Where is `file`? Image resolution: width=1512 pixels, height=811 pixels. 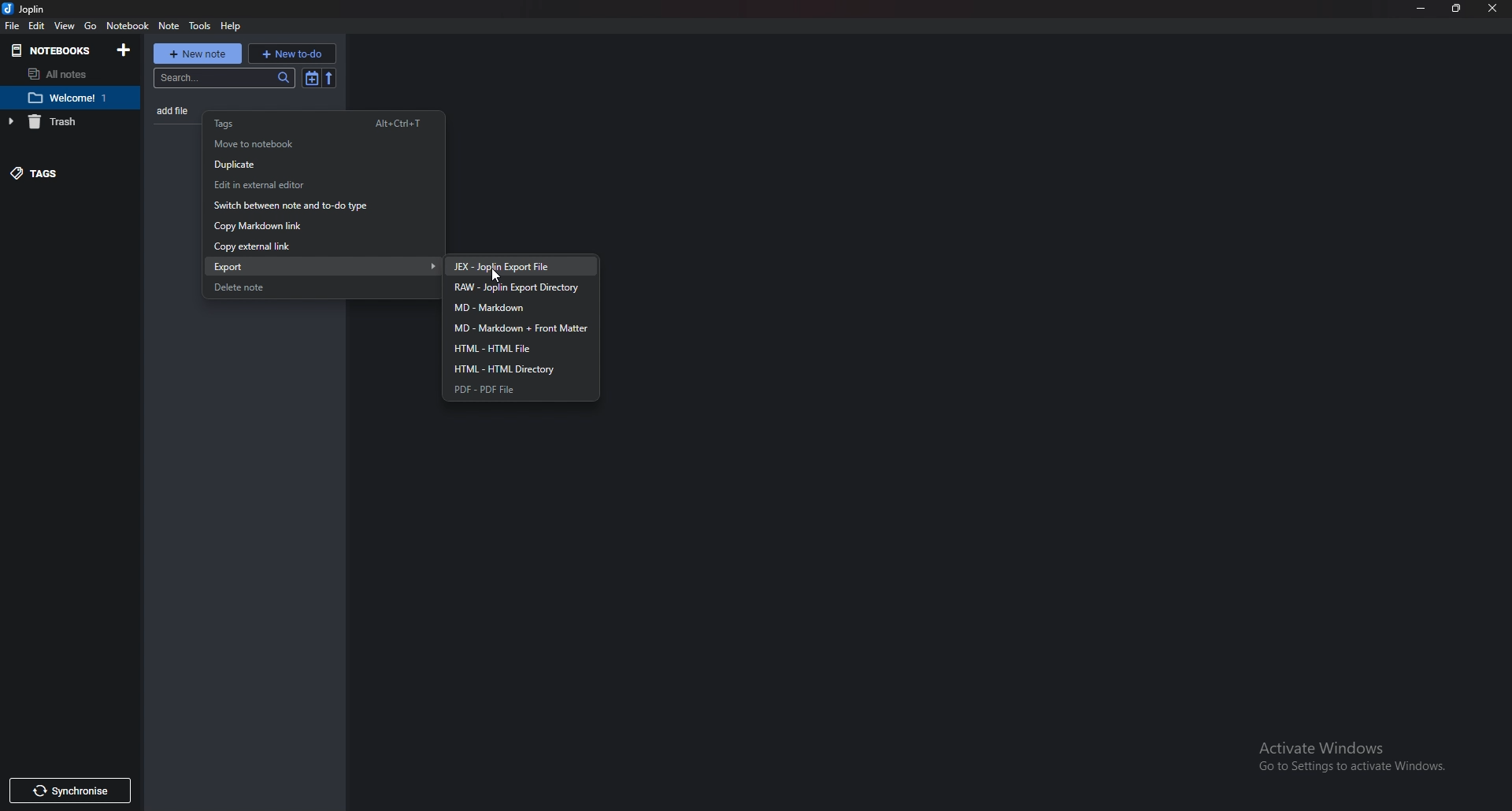
file is located at coordinates (14, 27).